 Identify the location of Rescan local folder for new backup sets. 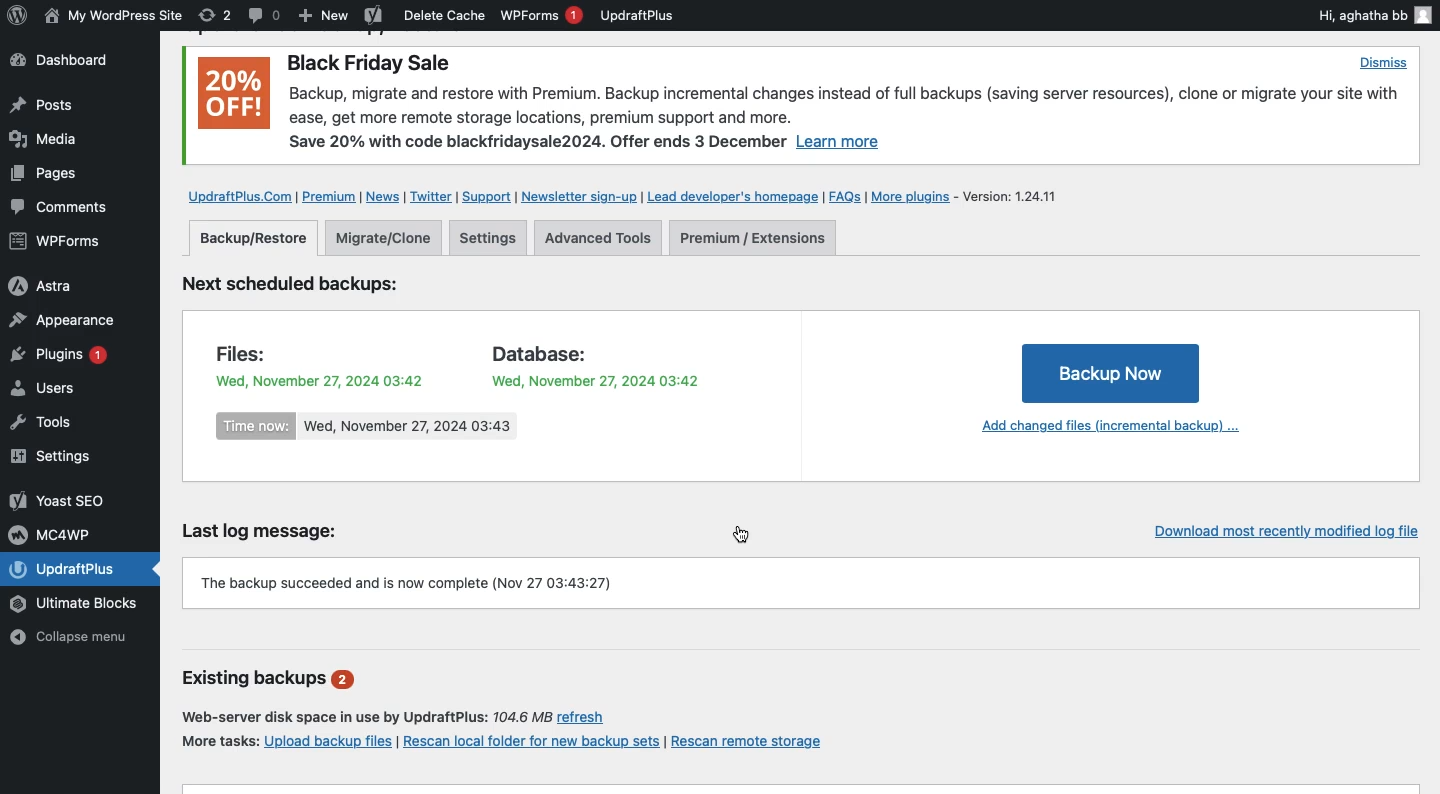
(532, 742).